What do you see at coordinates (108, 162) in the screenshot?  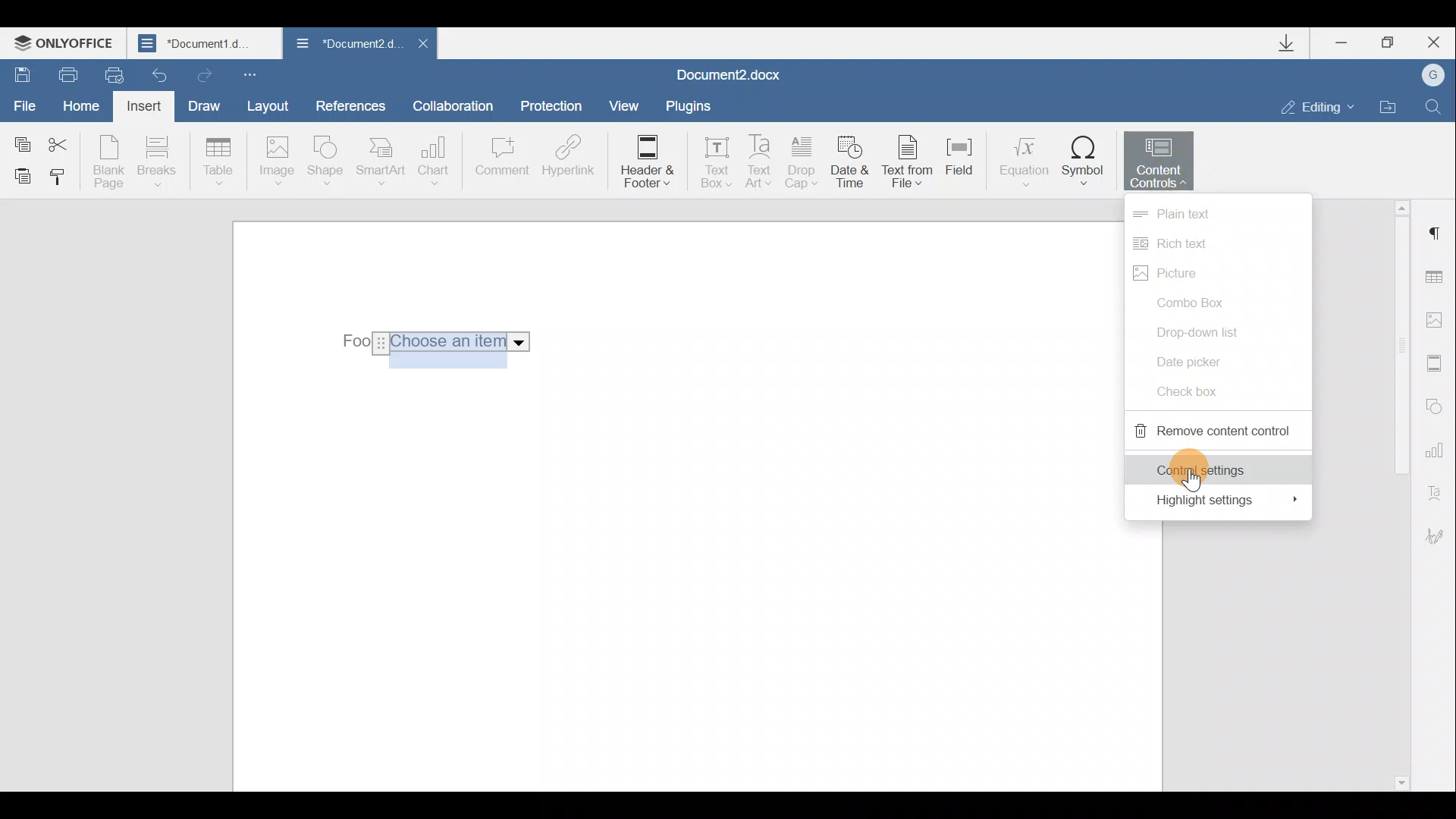 I see `Blank page` at bounding box center [108, 162].